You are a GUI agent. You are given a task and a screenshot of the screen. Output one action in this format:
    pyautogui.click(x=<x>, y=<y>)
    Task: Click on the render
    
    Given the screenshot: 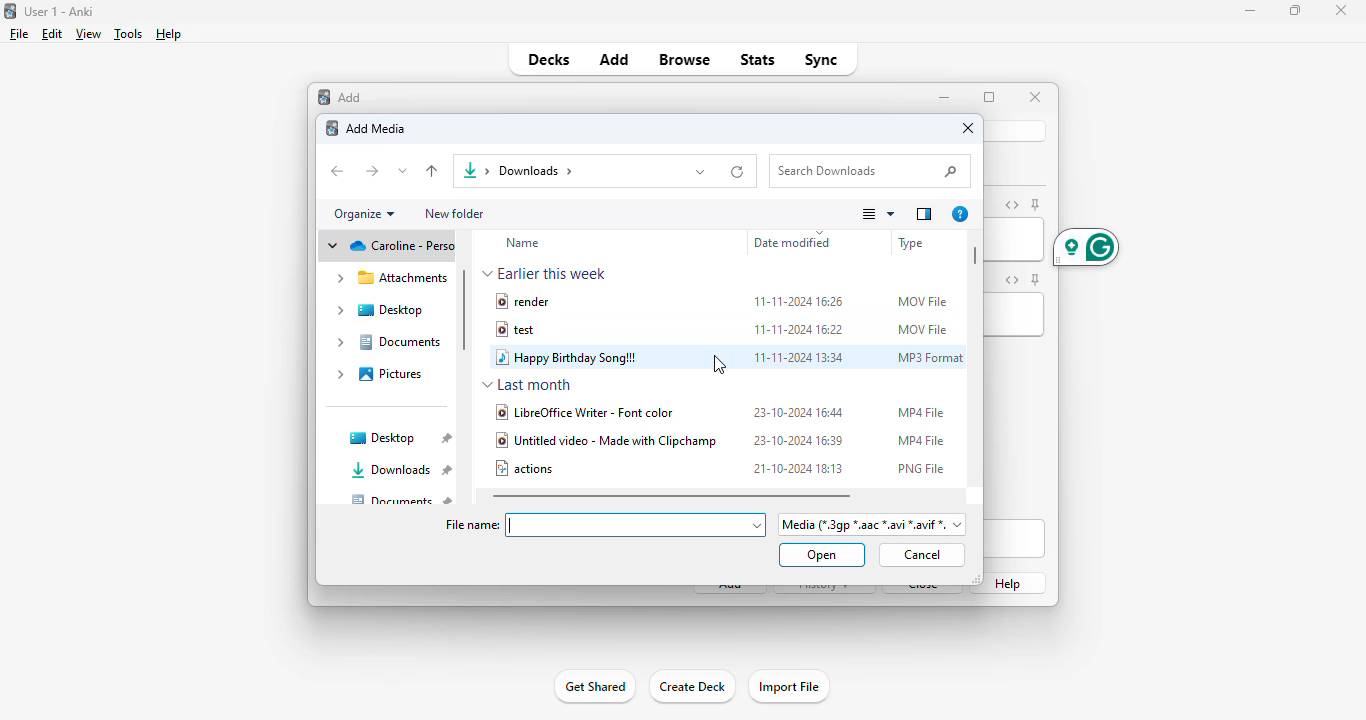 What is the action you would take?
    pyautogui.click(x=522, y=301)
    